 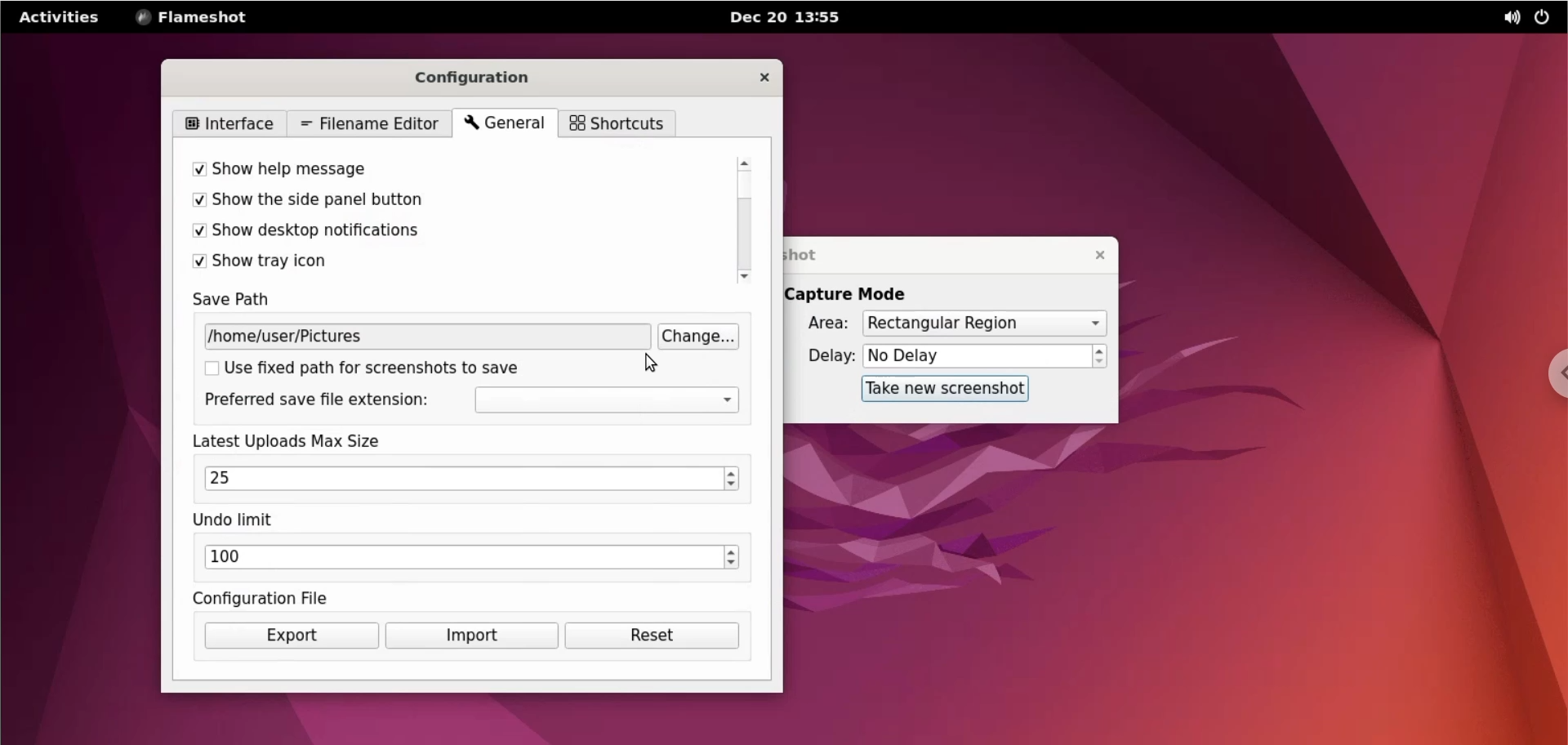 What do you see at coordinates (450, 169) in the screenshot?
I see `show help message checkbox` at bounding box center [450, 169].